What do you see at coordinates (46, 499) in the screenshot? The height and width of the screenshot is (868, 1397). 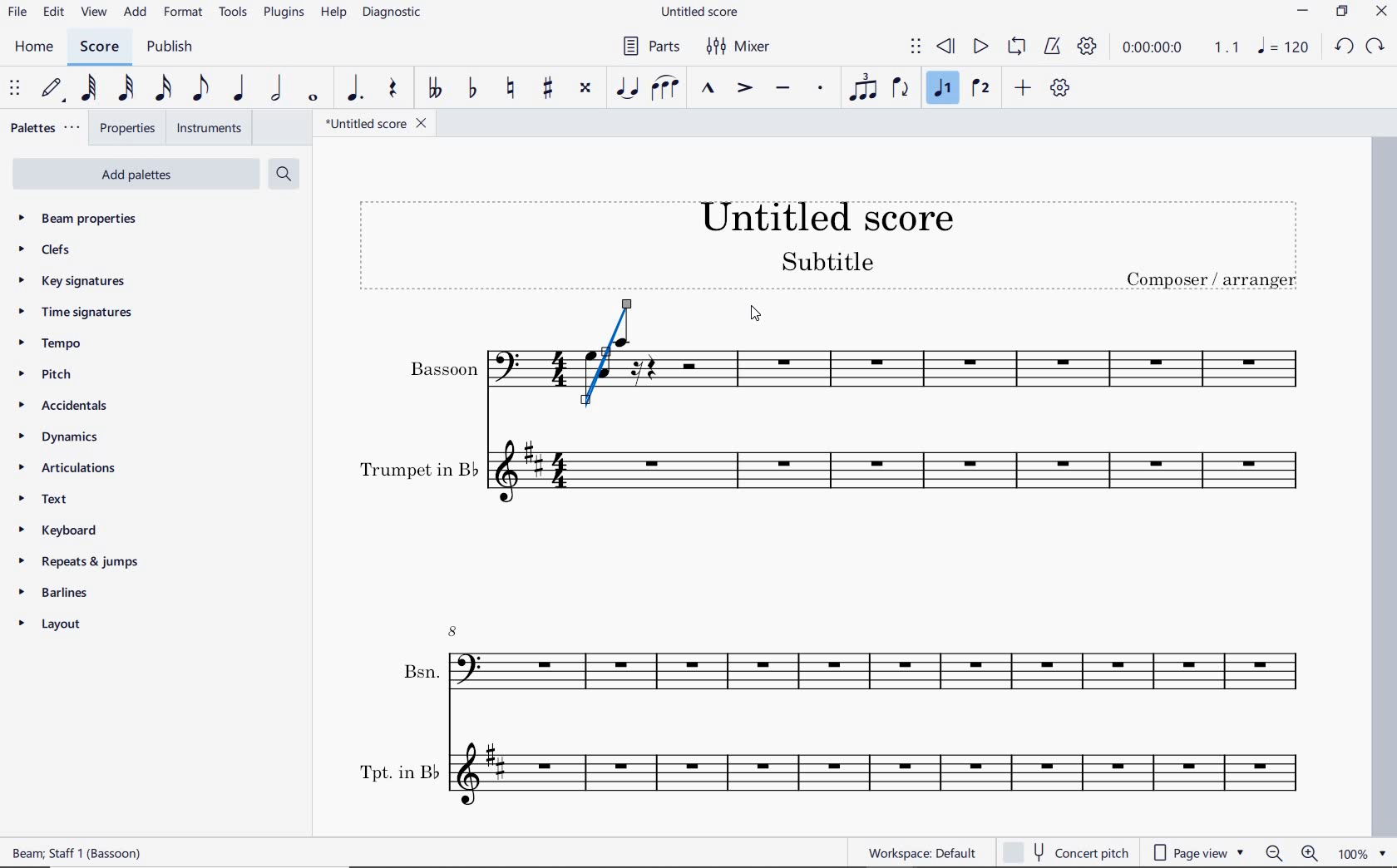 I see `text` at bounding box center [46, 499].